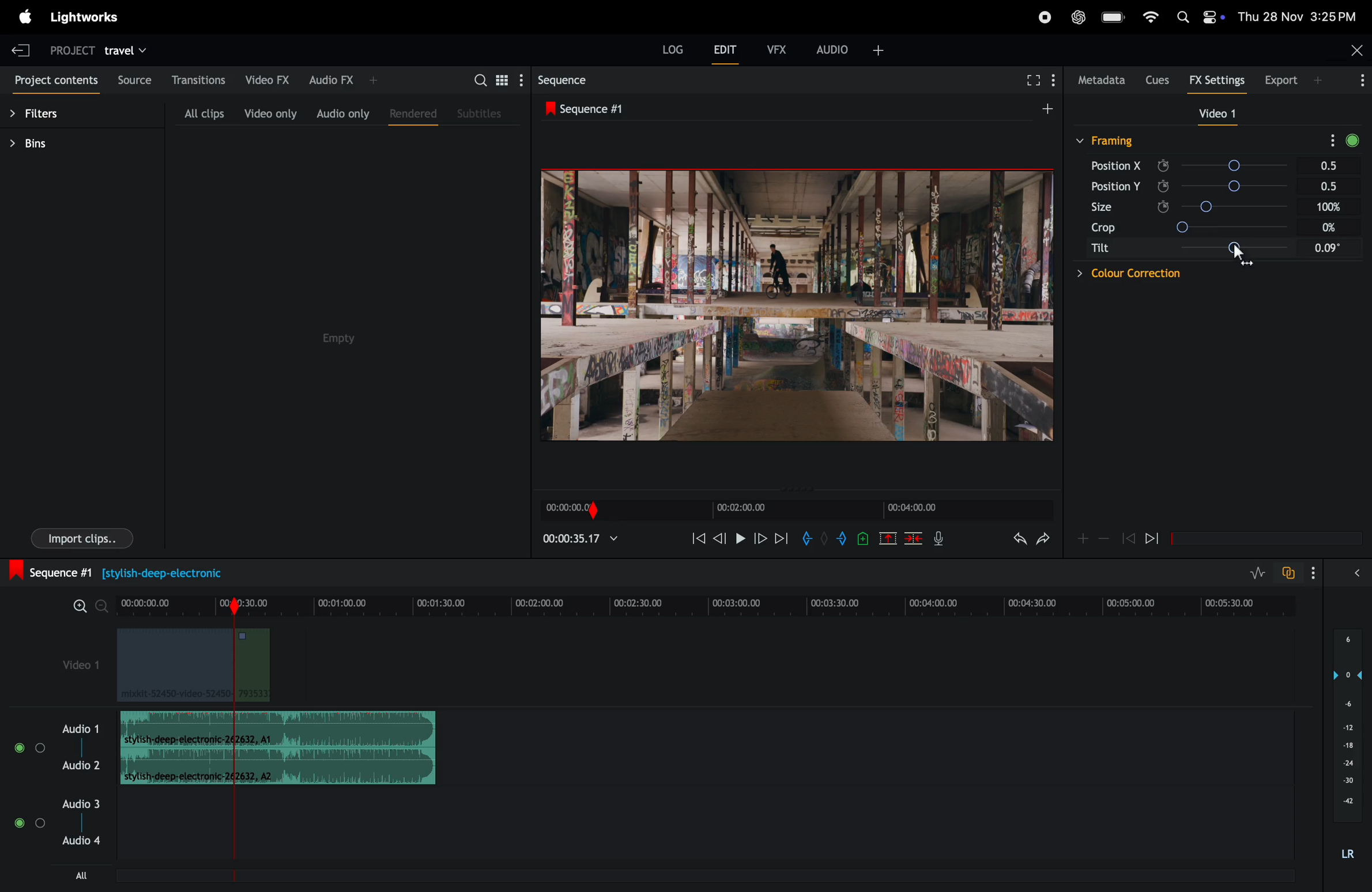 The height and width of the screenshot is (892, 1372). Describe the element at coordinates (698, 538) in the screenshot. I see `rewind` at that location.